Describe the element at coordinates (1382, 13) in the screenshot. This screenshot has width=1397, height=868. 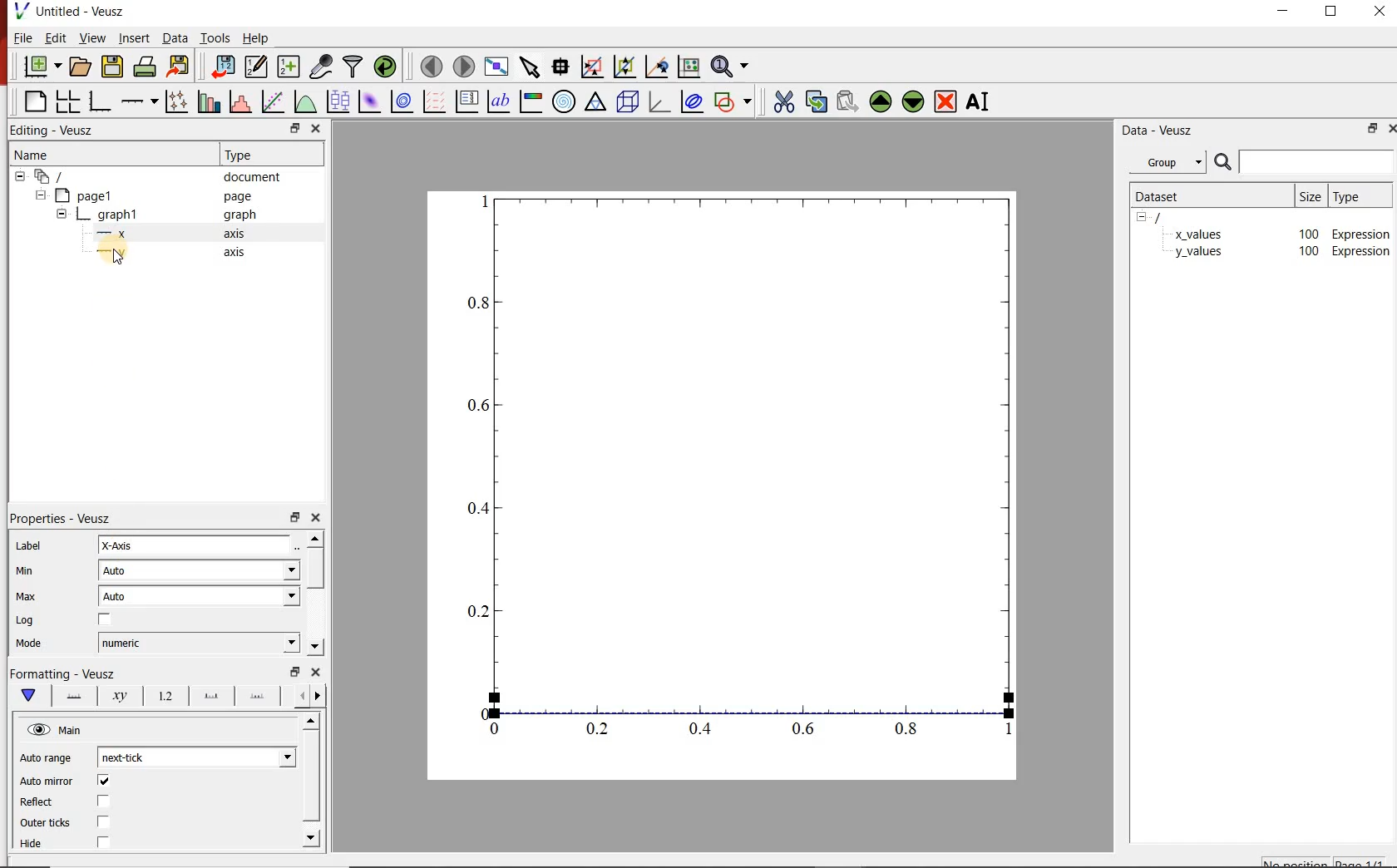
I see `close` at that location.